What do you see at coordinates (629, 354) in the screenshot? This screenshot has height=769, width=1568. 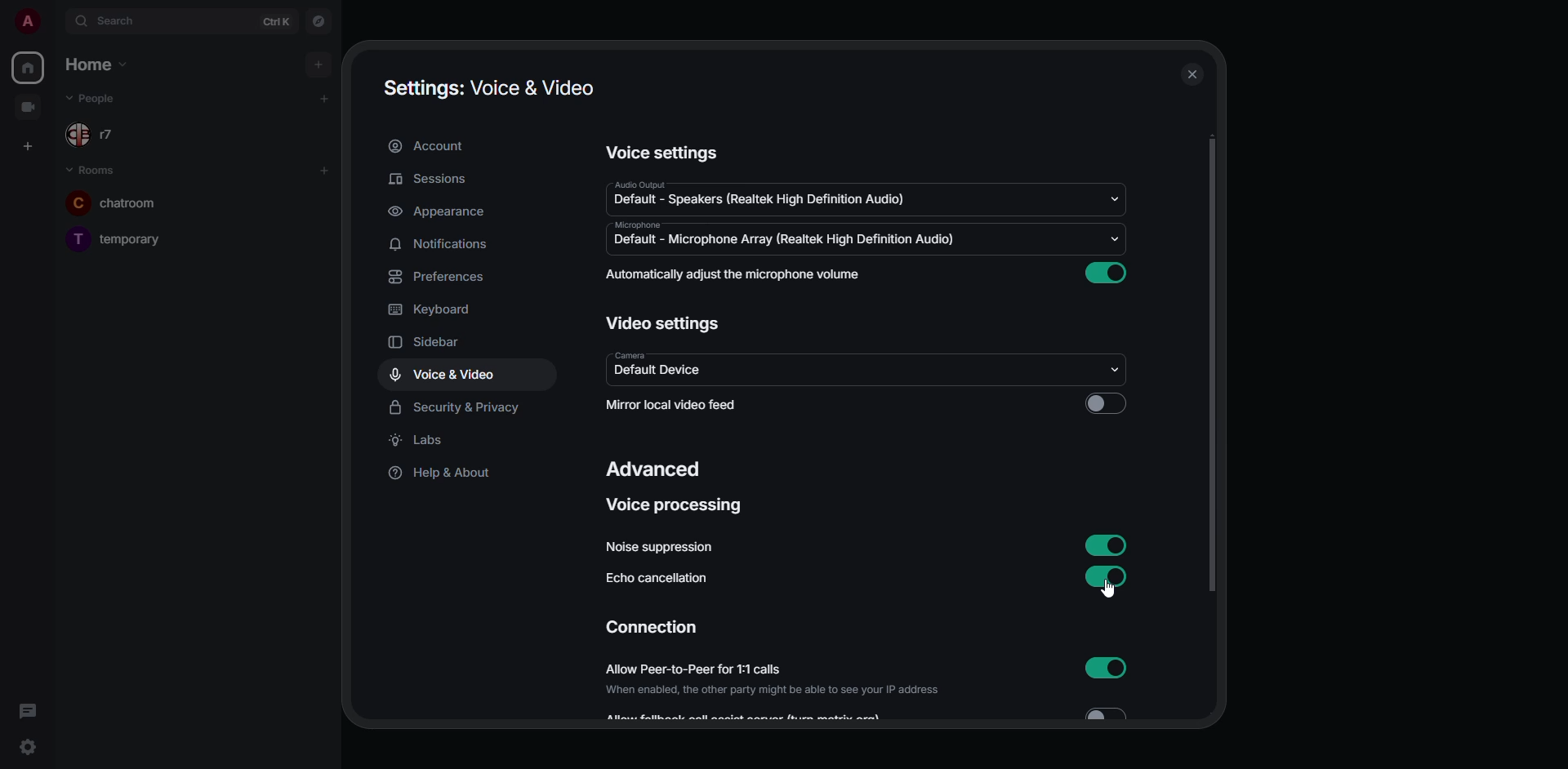 I see `camera` at bounding box center [629, 354].